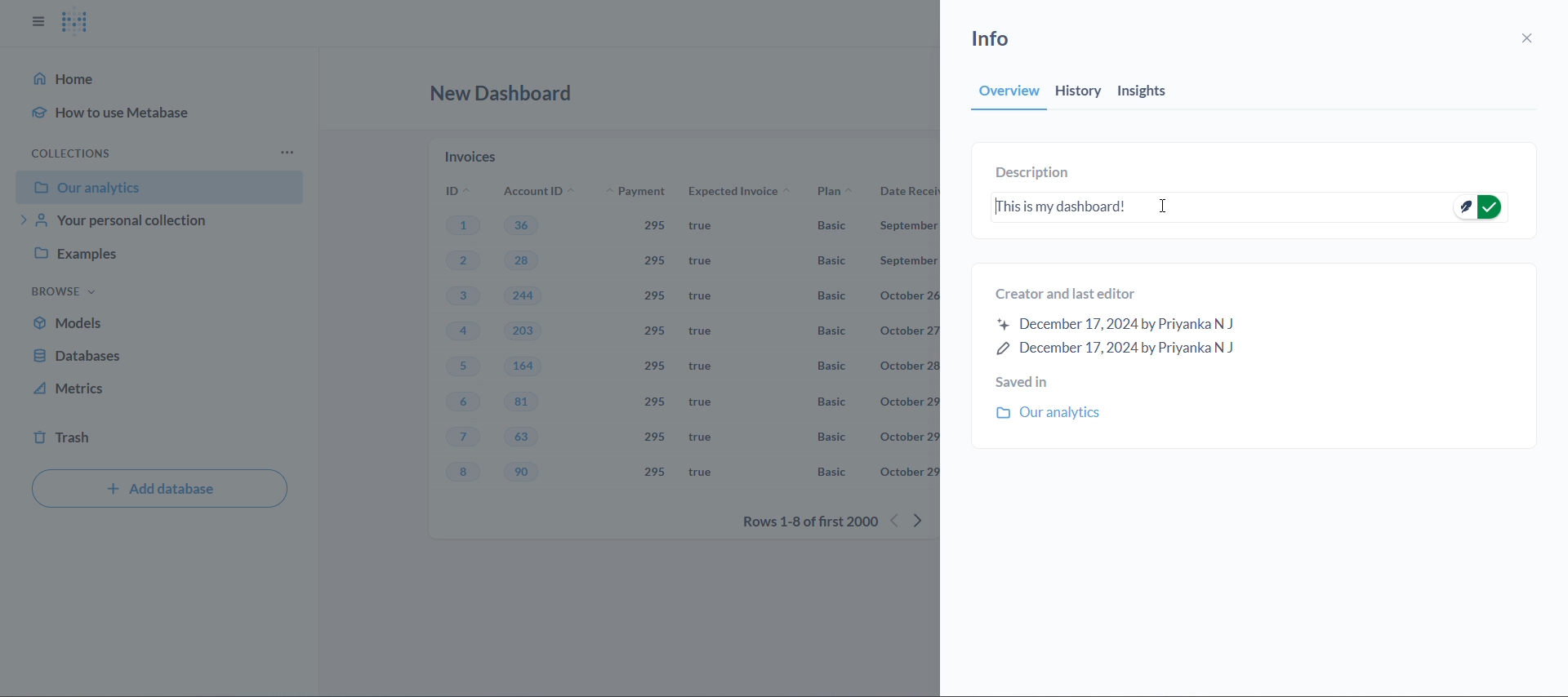 The height and width of the screenshot is (697, 1568). I want to click on database, so click(159, 358).